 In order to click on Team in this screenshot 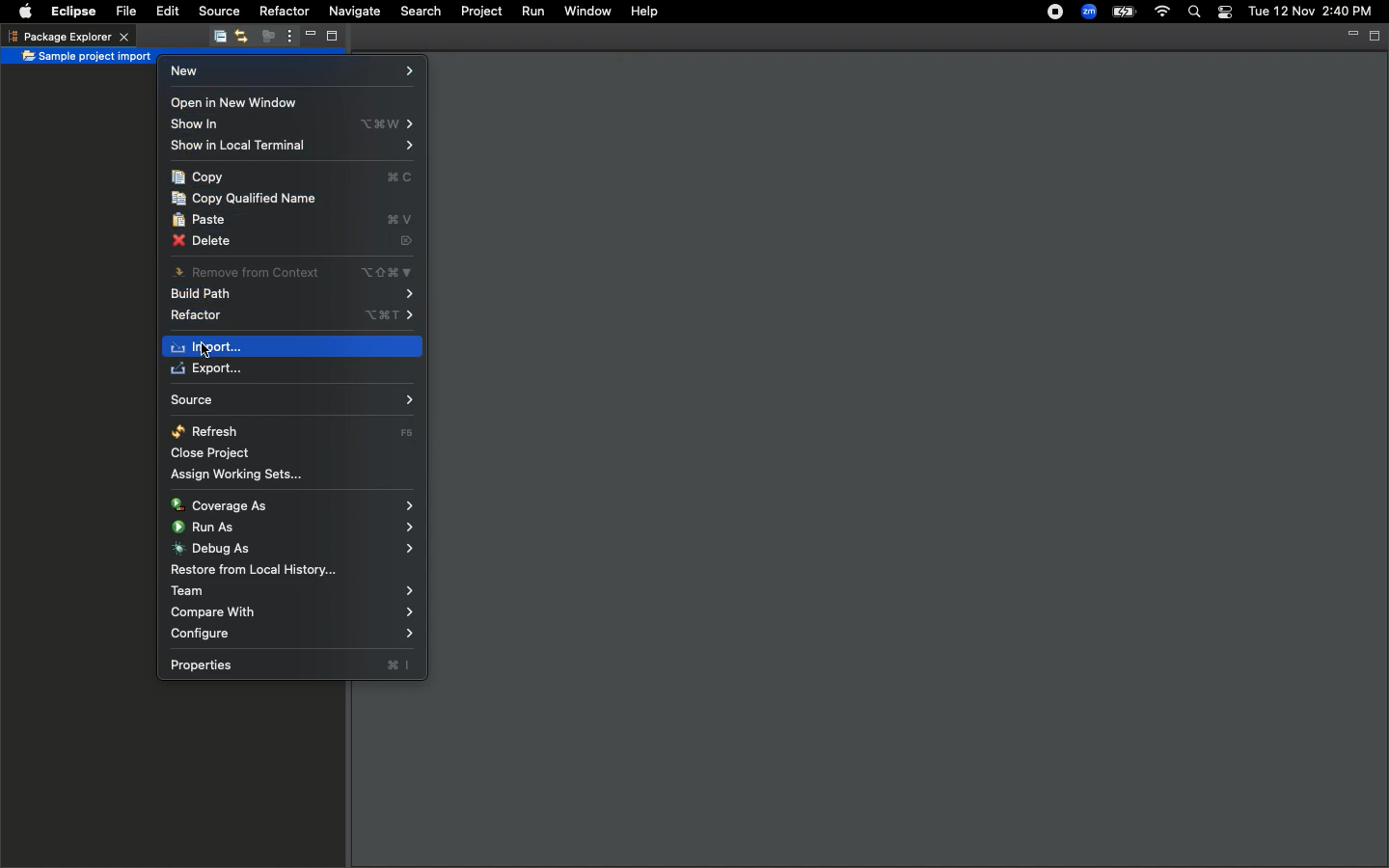, I will do `click(293, 591)`.